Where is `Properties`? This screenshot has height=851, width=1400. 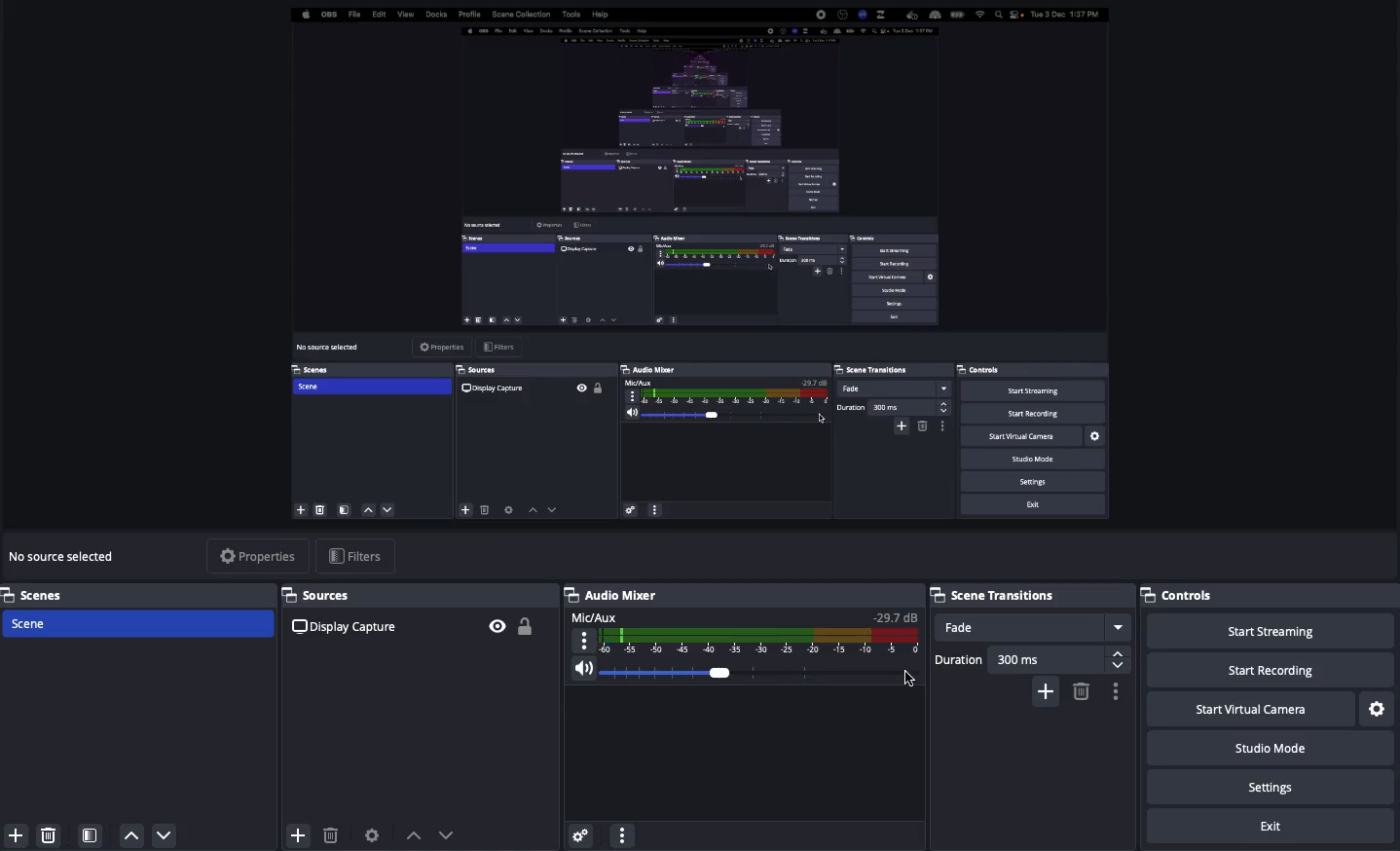
Properties is located at coordinates (257, 555).